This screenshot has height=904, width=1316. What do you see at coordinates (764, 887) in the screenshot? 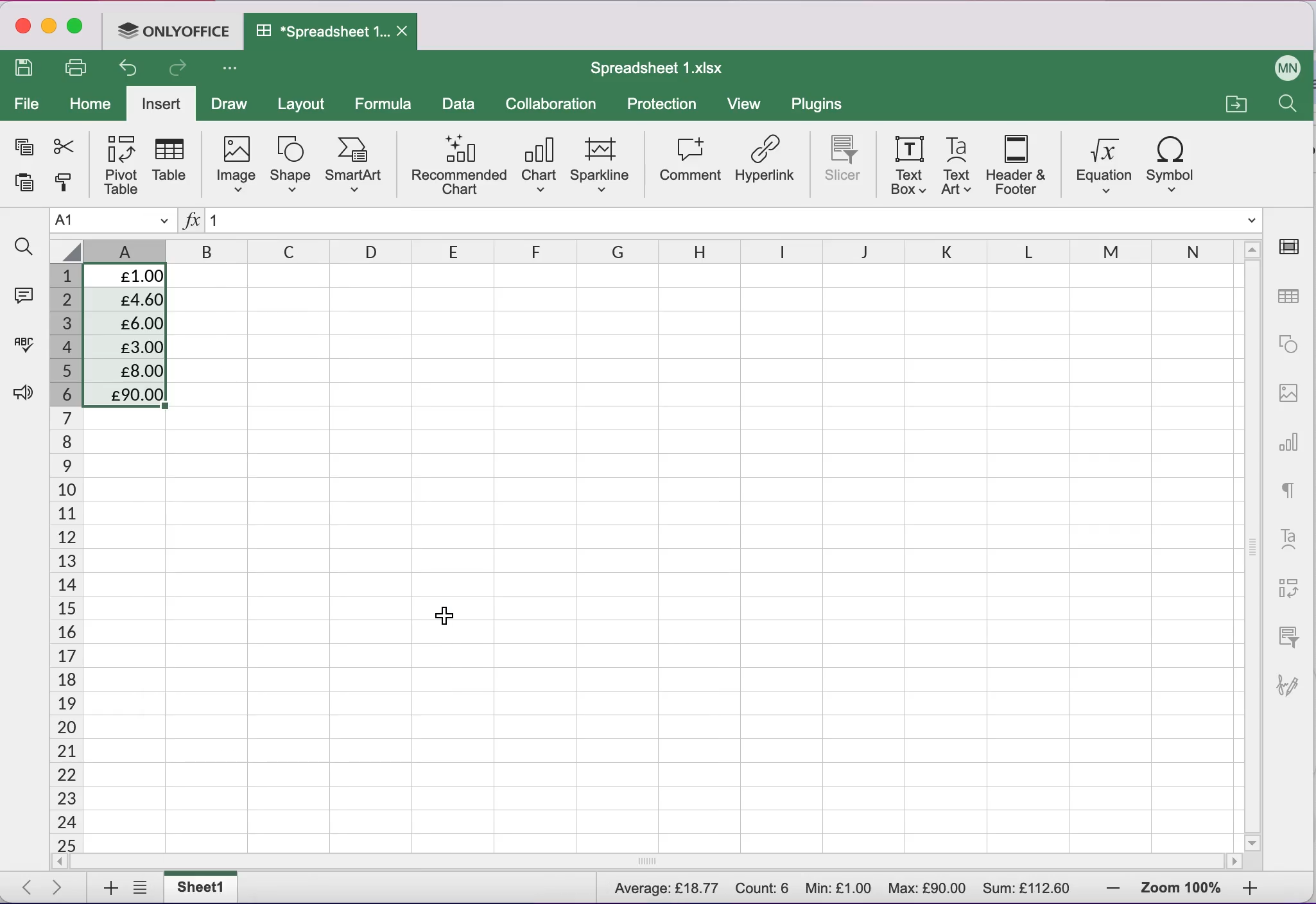
I see `Count: 6` at bounding box center [764, 887].